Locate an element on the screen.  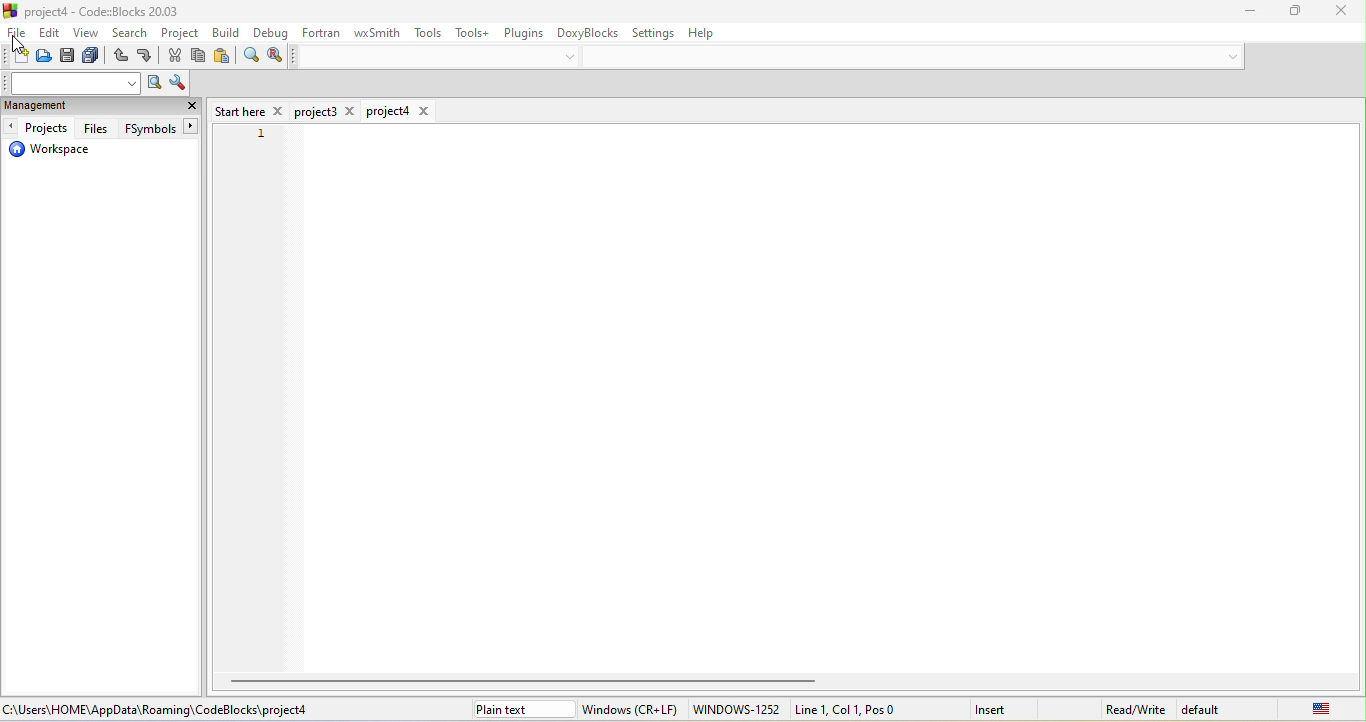
tools+ is located at coordinates (474, 32).